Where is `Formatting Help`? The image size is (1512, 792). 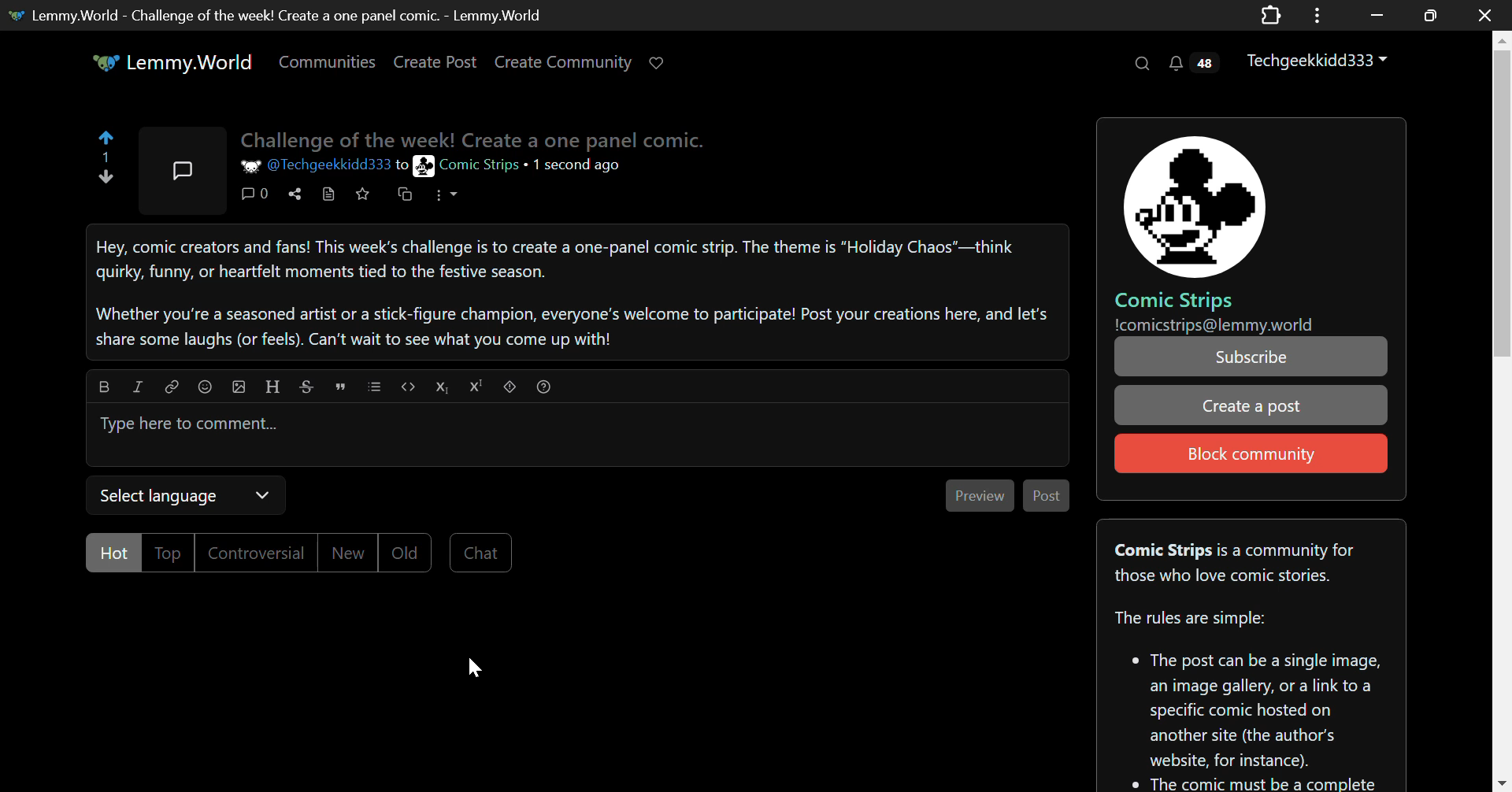
Formatting Help is located at coordinates (547, 387).